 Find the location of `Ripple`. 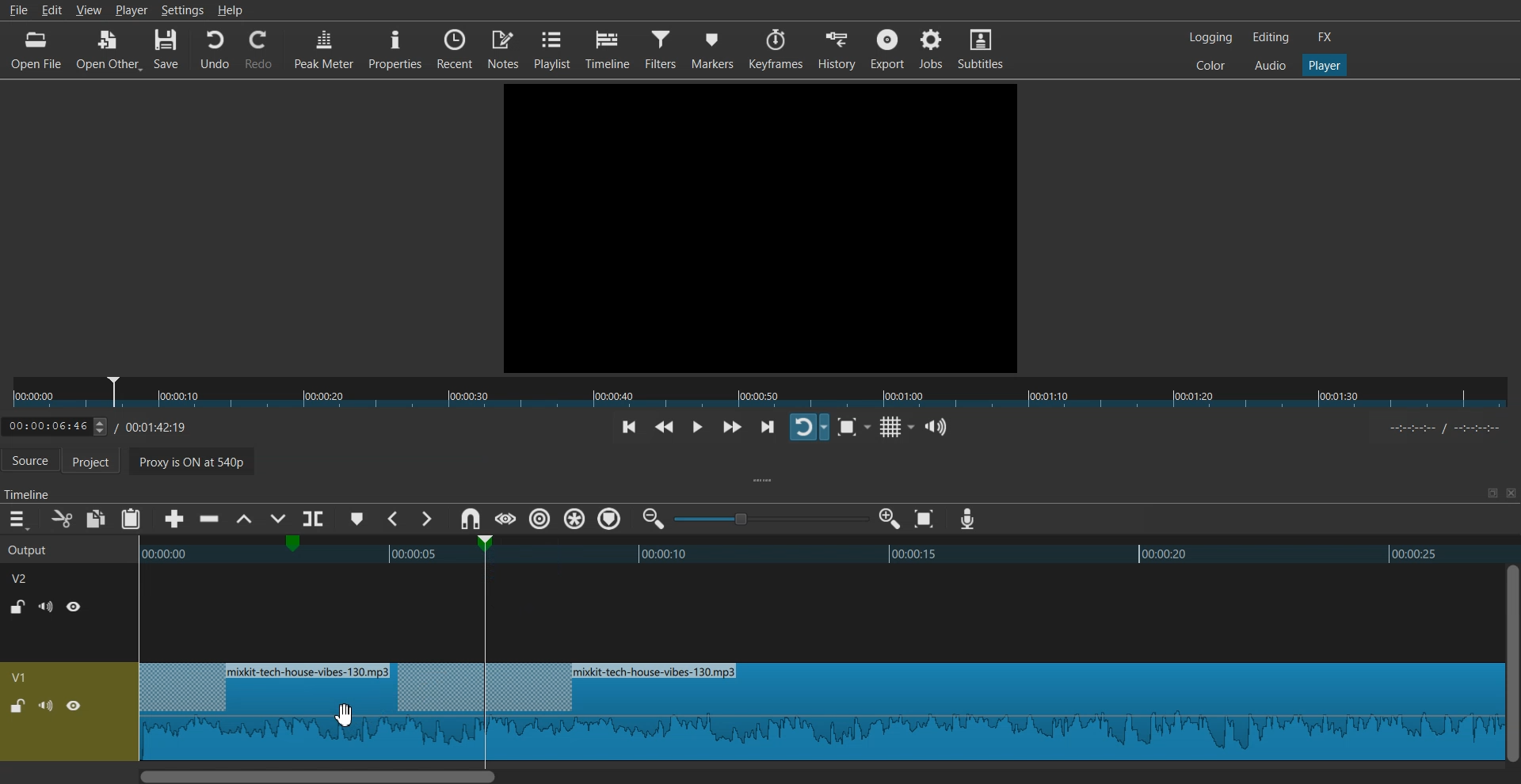

Ripple is located at coordinates (540, 519).